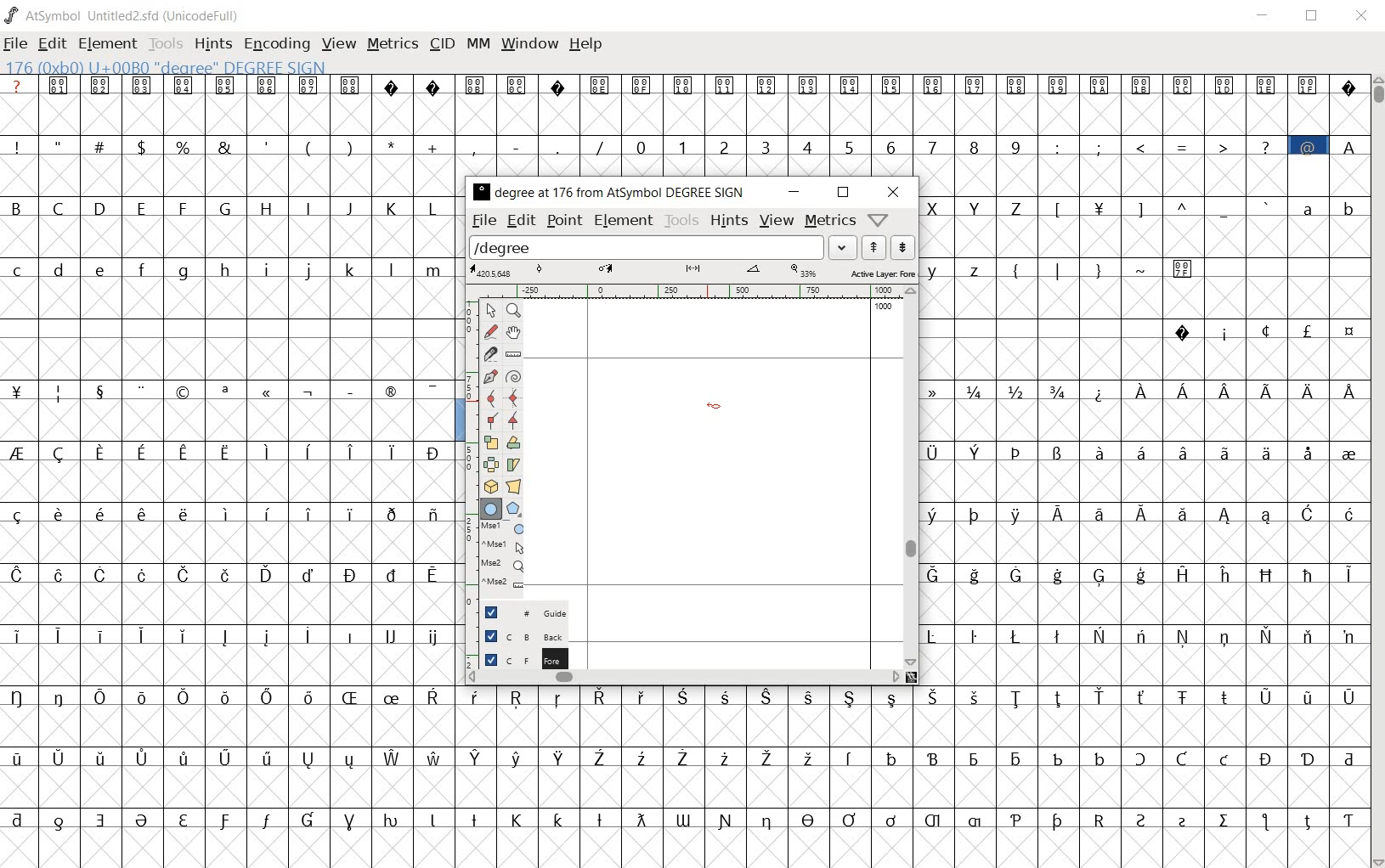 This screenshot has height=868, width=1385. I want to click on skew the selection, so click(513, 465).